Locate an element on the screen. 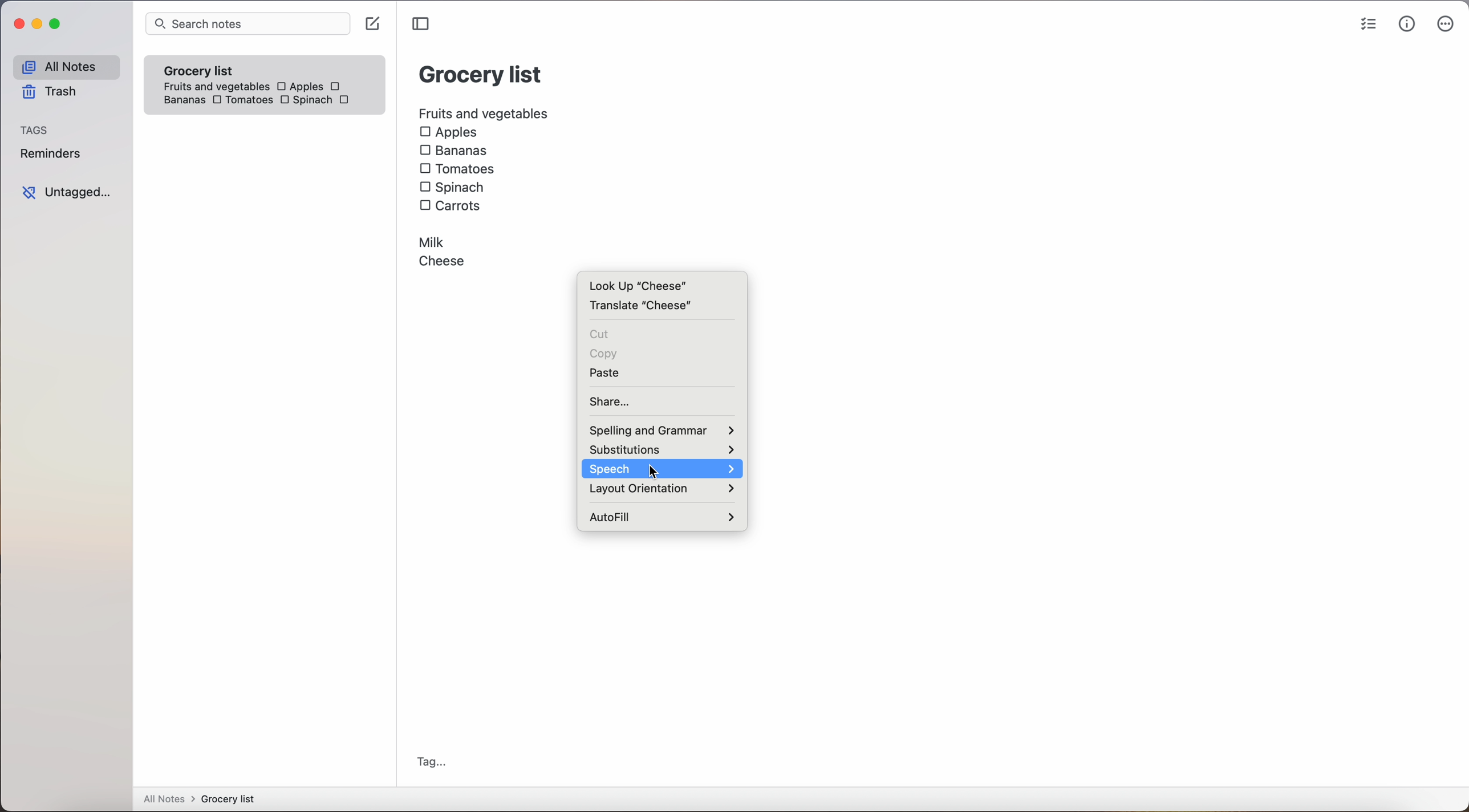  close app is located at coordinates (15, 22).